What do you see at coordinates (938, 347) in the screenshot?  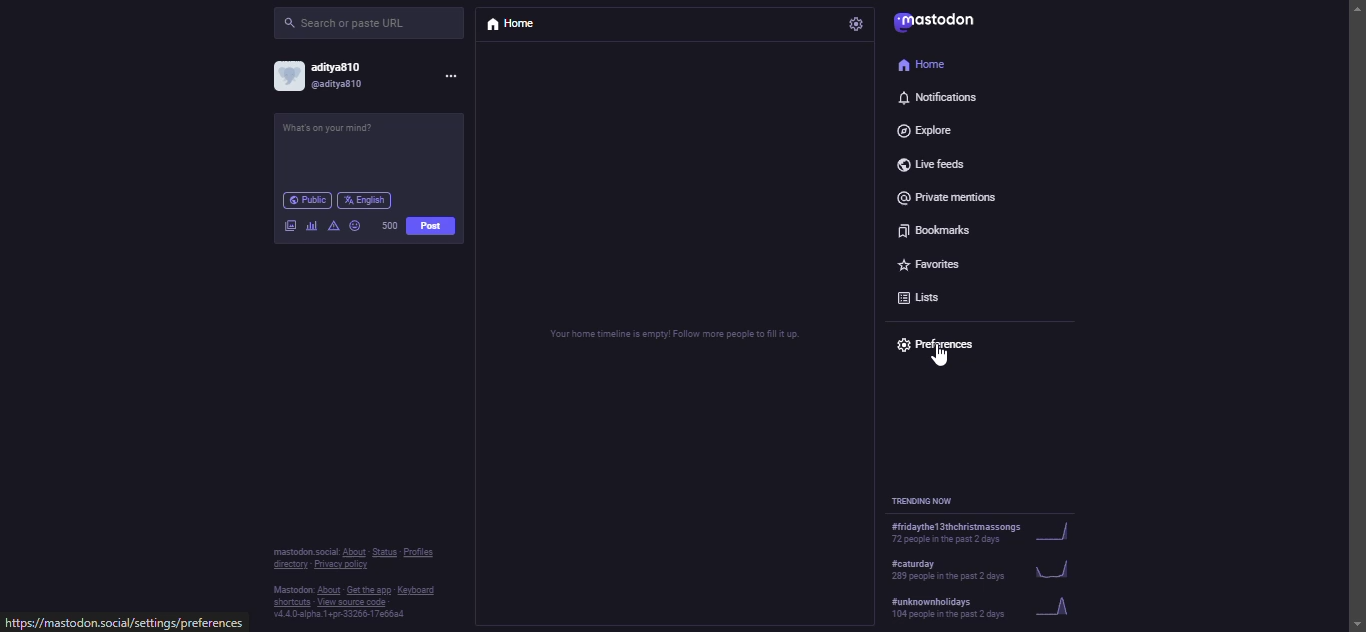 I see `preferences` at bounding box center [938, 347].